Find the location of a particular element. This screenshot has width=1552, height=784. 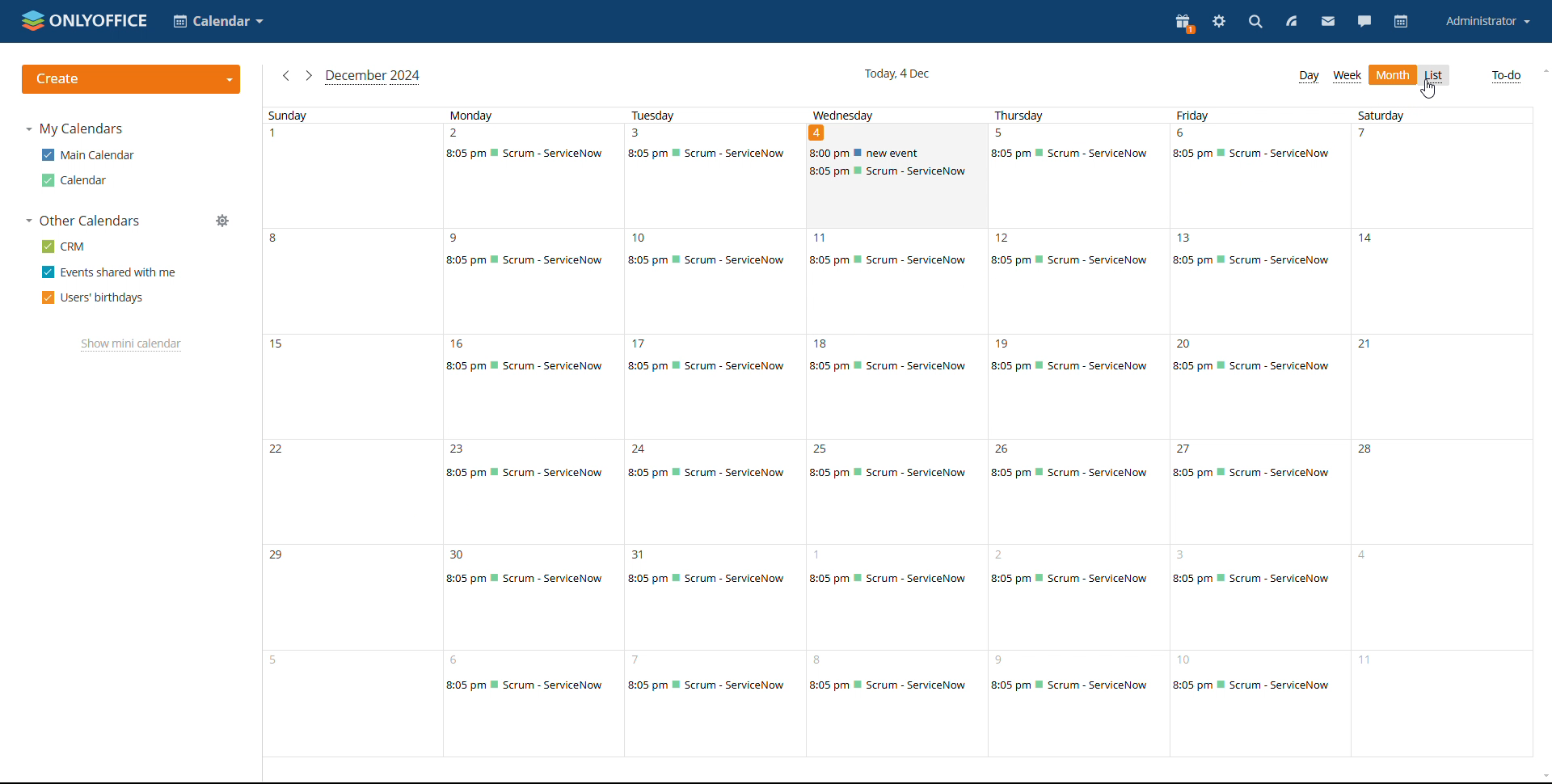

sunday is located at coordinates (338, 114).